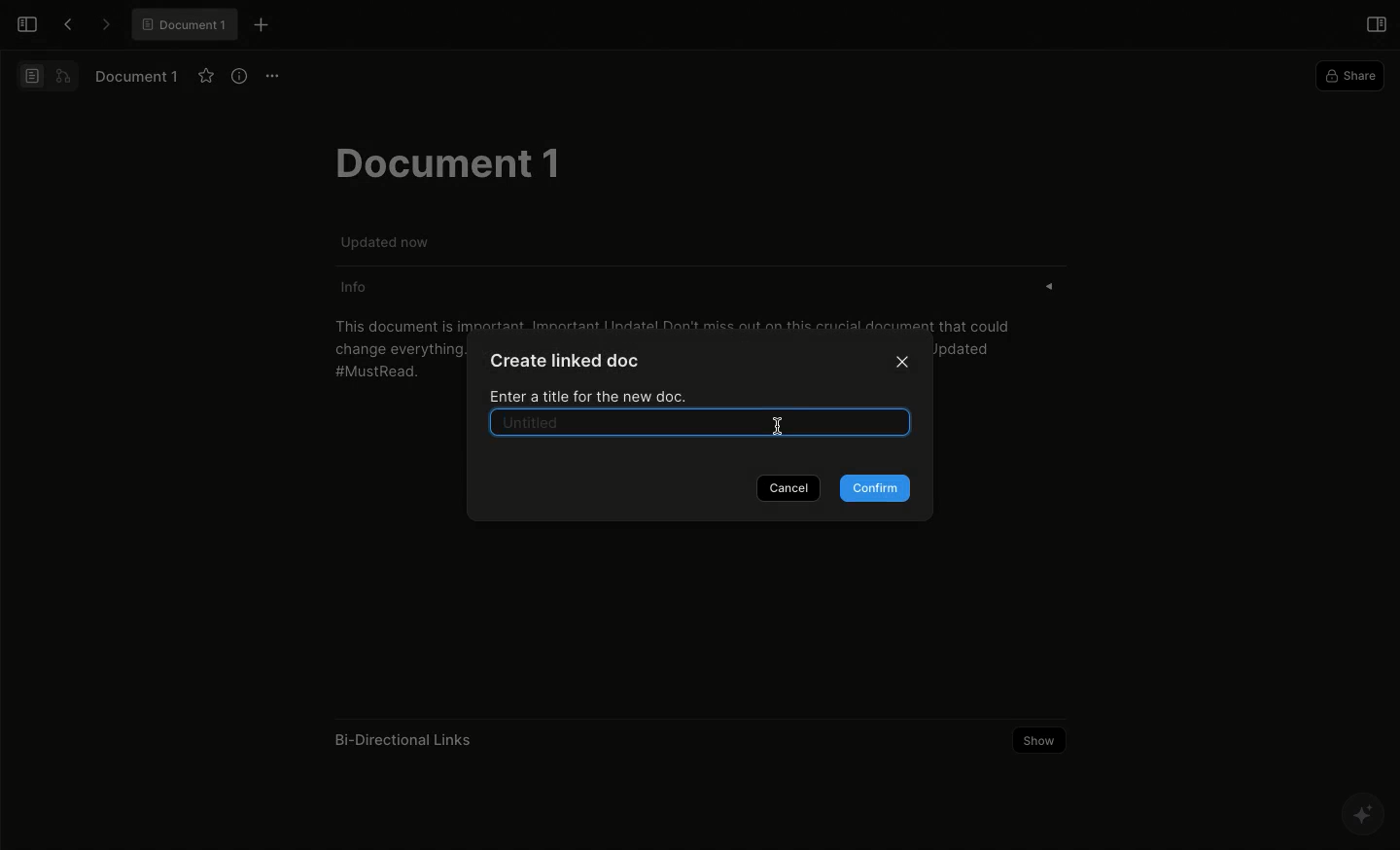  I want to click on Enter a title for the new doc, so click(592, 395).